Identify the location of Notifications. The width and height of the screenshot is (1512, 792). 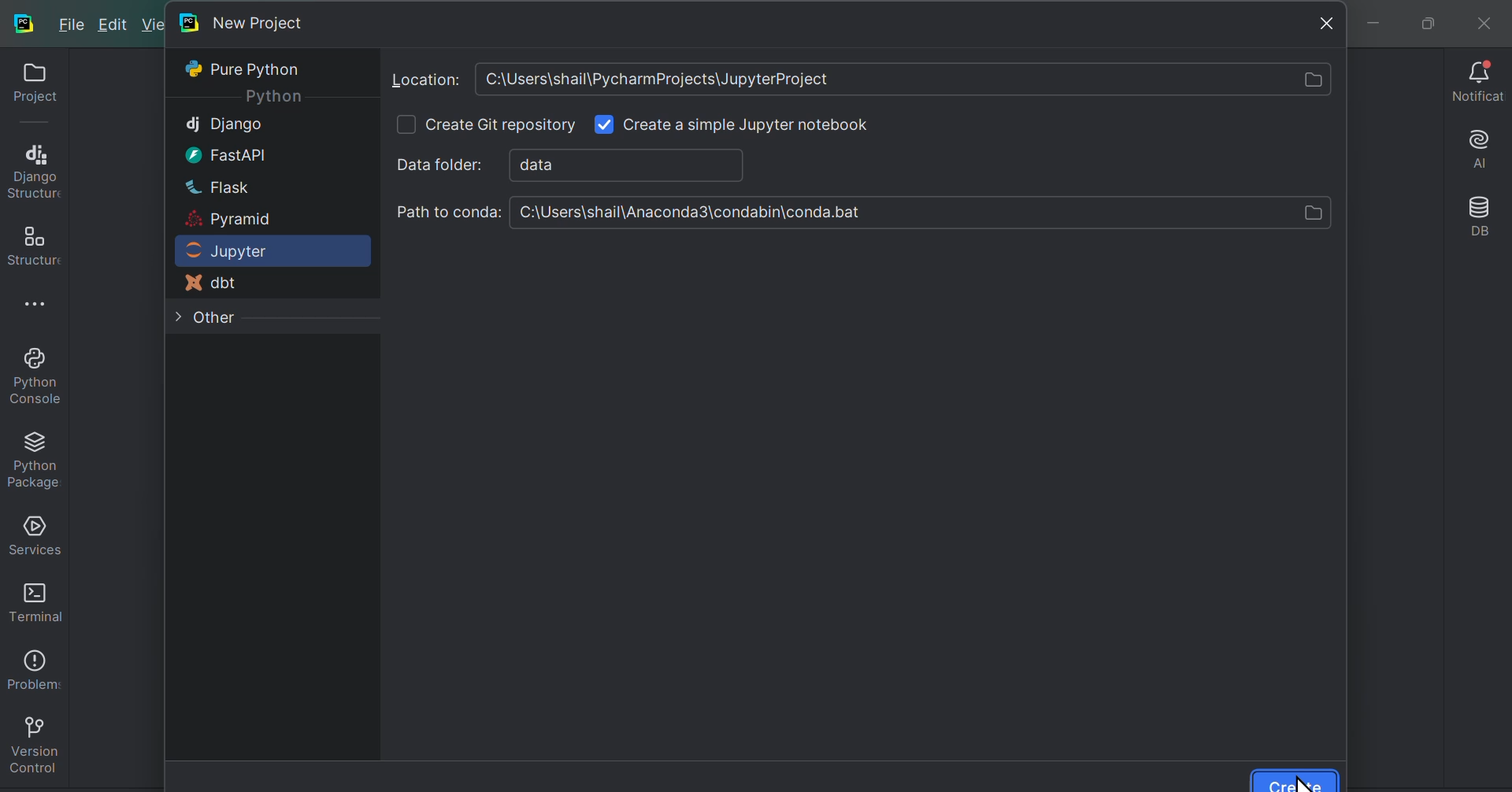
(1473, 82).